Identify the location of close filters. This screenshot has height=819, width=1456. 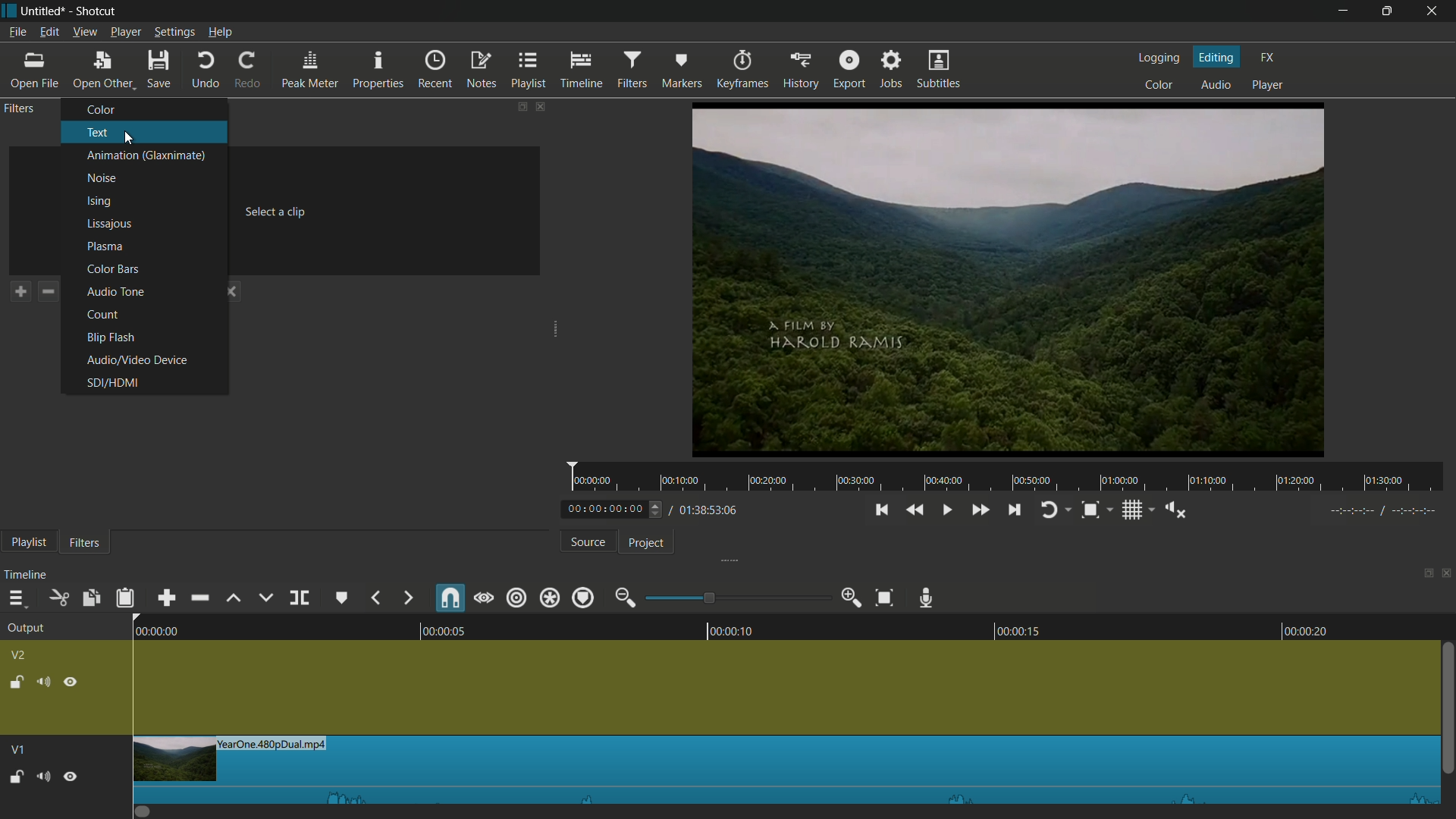
(543, 106).